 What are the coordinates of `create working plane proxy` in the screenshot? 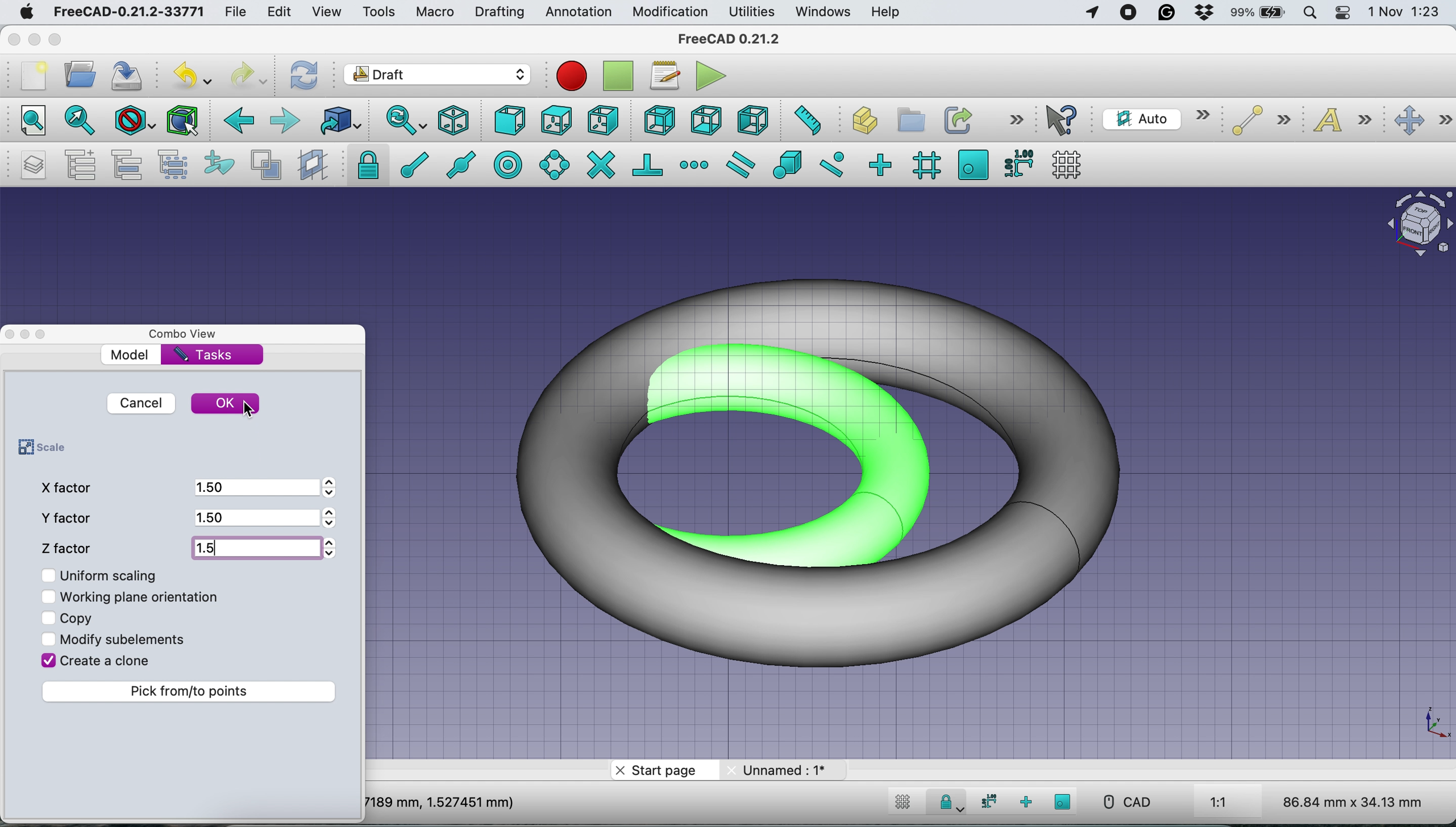 It's located at (311, 164).